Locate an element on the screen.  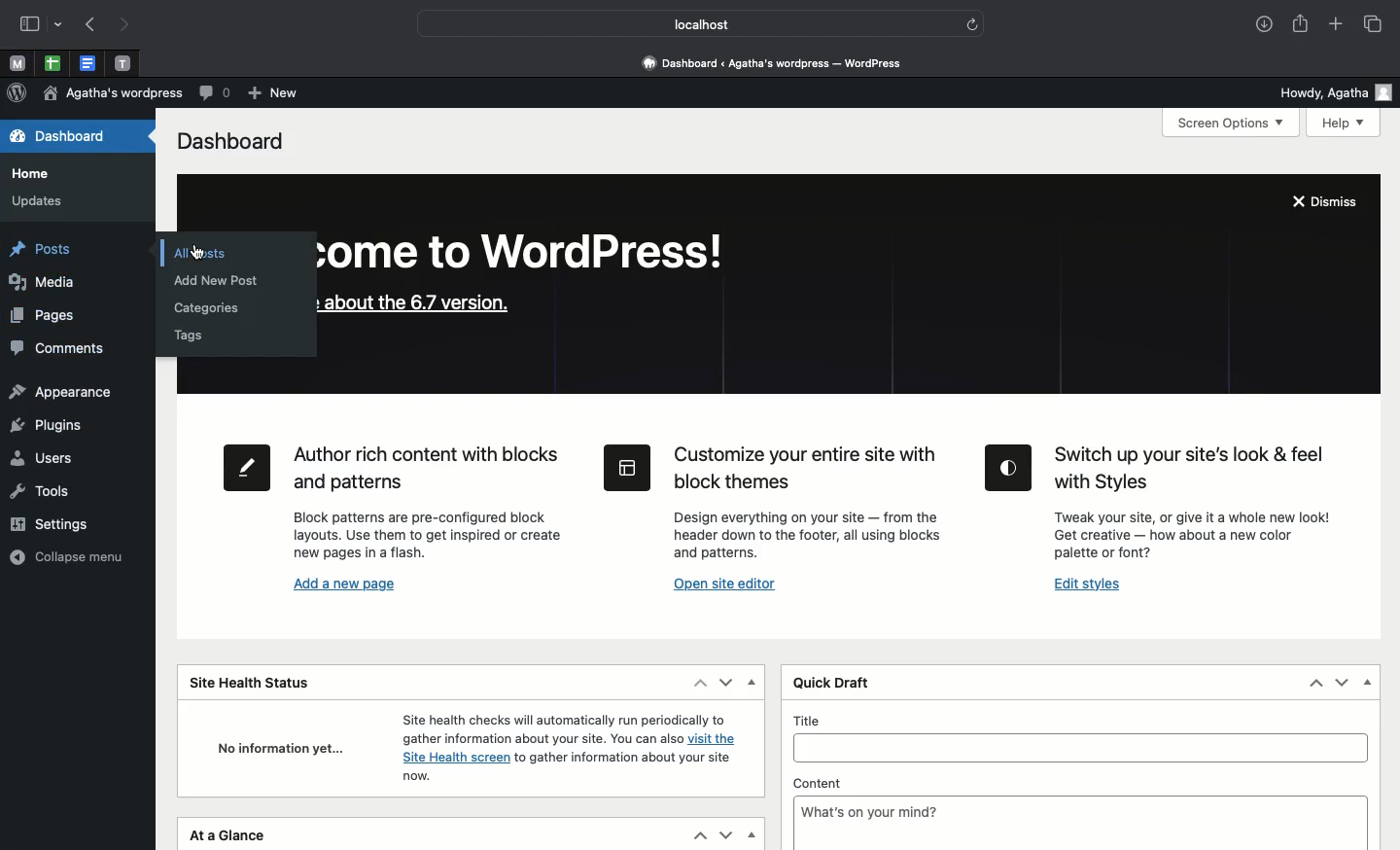
Customize your entire site with block themes Design everything on your site — from the header down to the footer, all using blocks and patterns. is located at coordinates (771, 499).